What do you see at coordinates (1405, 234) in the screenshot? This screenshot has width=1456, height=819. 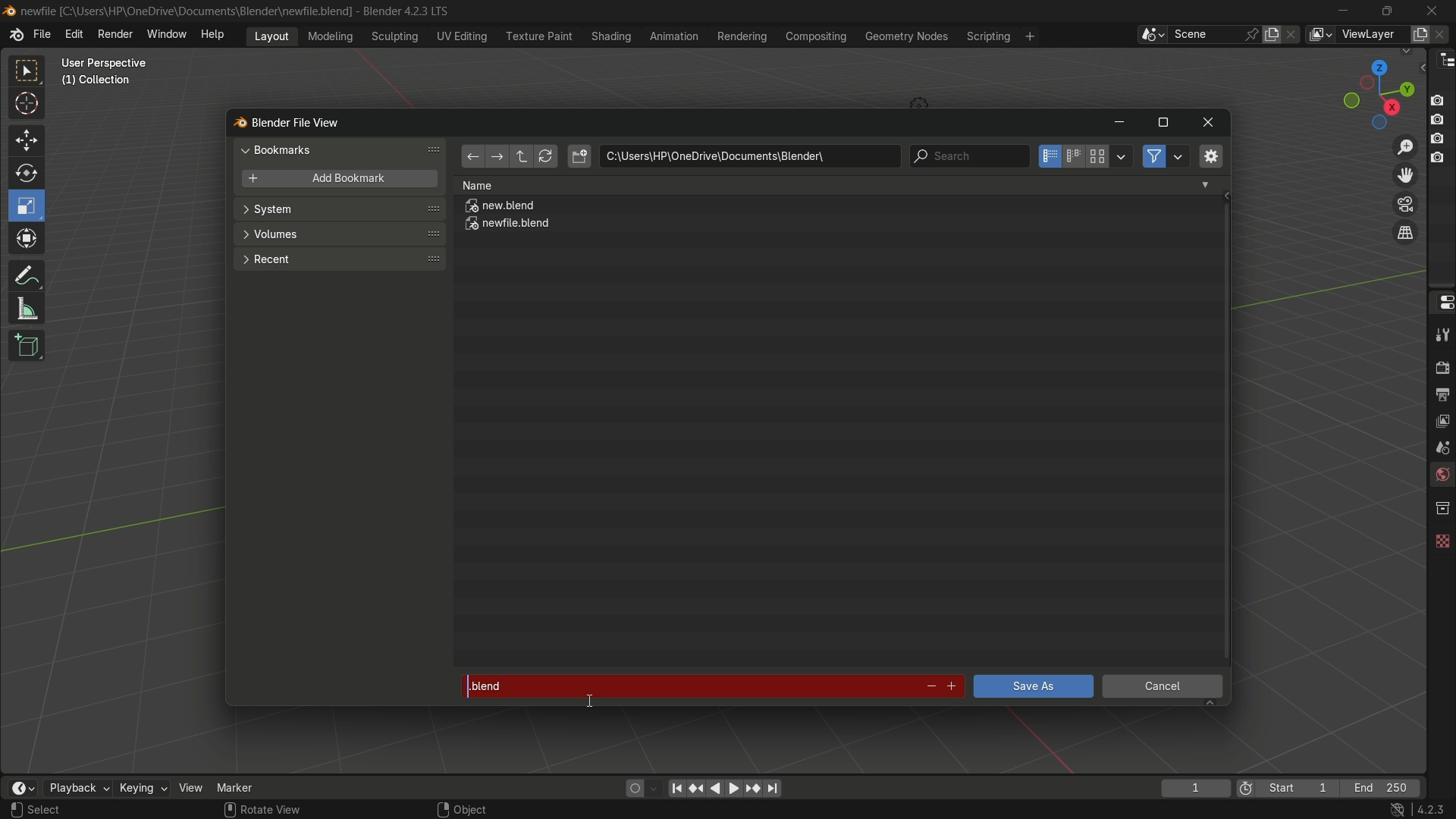 I see `switch current view layer` at bounding box center [1405, 234].